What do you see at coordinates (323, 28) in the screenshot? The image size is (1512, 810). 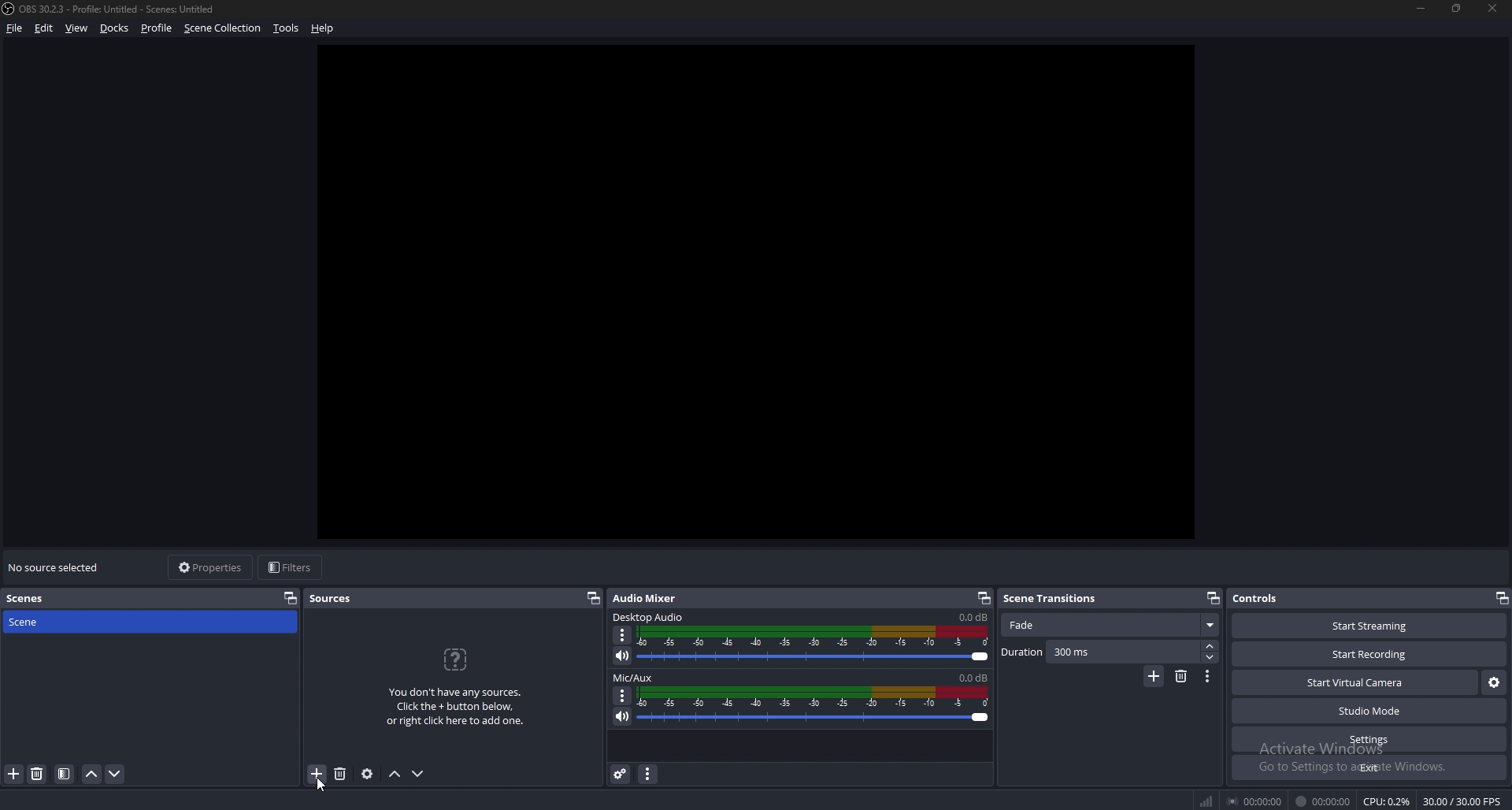 I see `help` at bounding box center [323, 28].